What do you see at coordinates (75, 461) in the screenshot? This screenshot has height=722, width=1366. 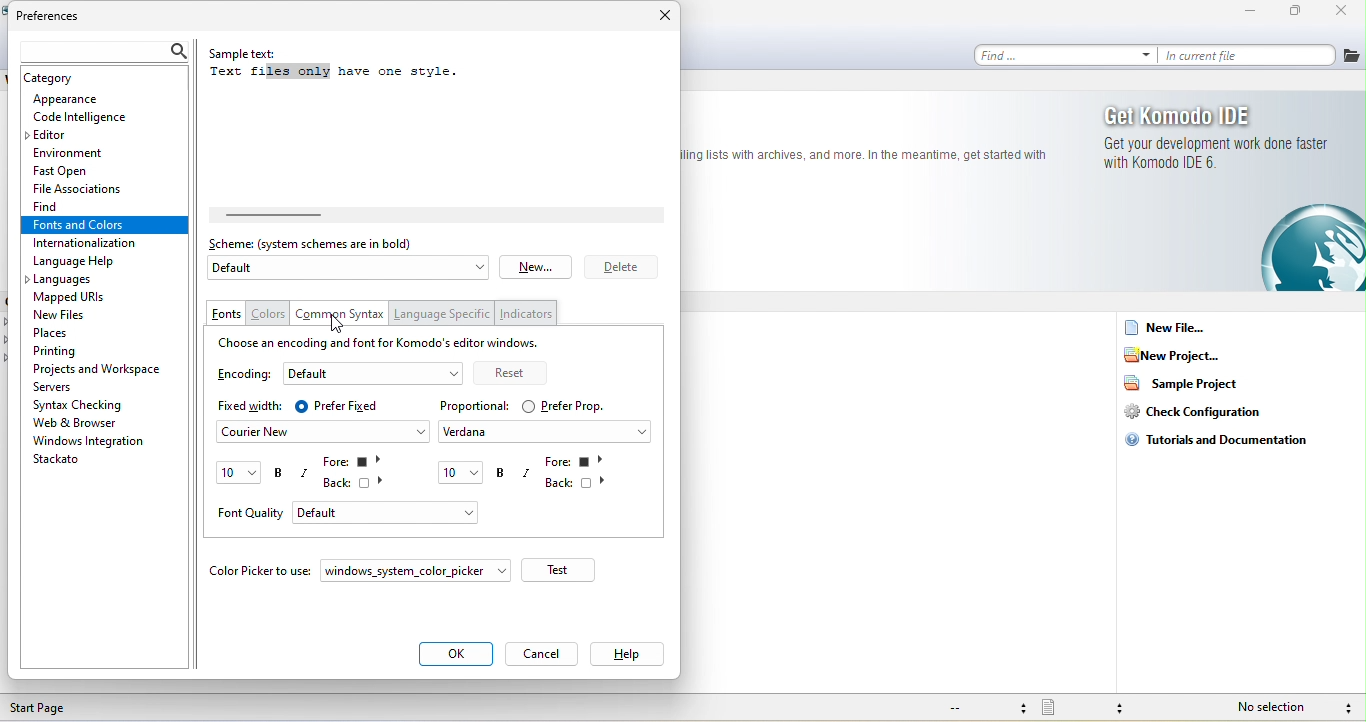 I see `stackato` at bounding box center [75, 461].